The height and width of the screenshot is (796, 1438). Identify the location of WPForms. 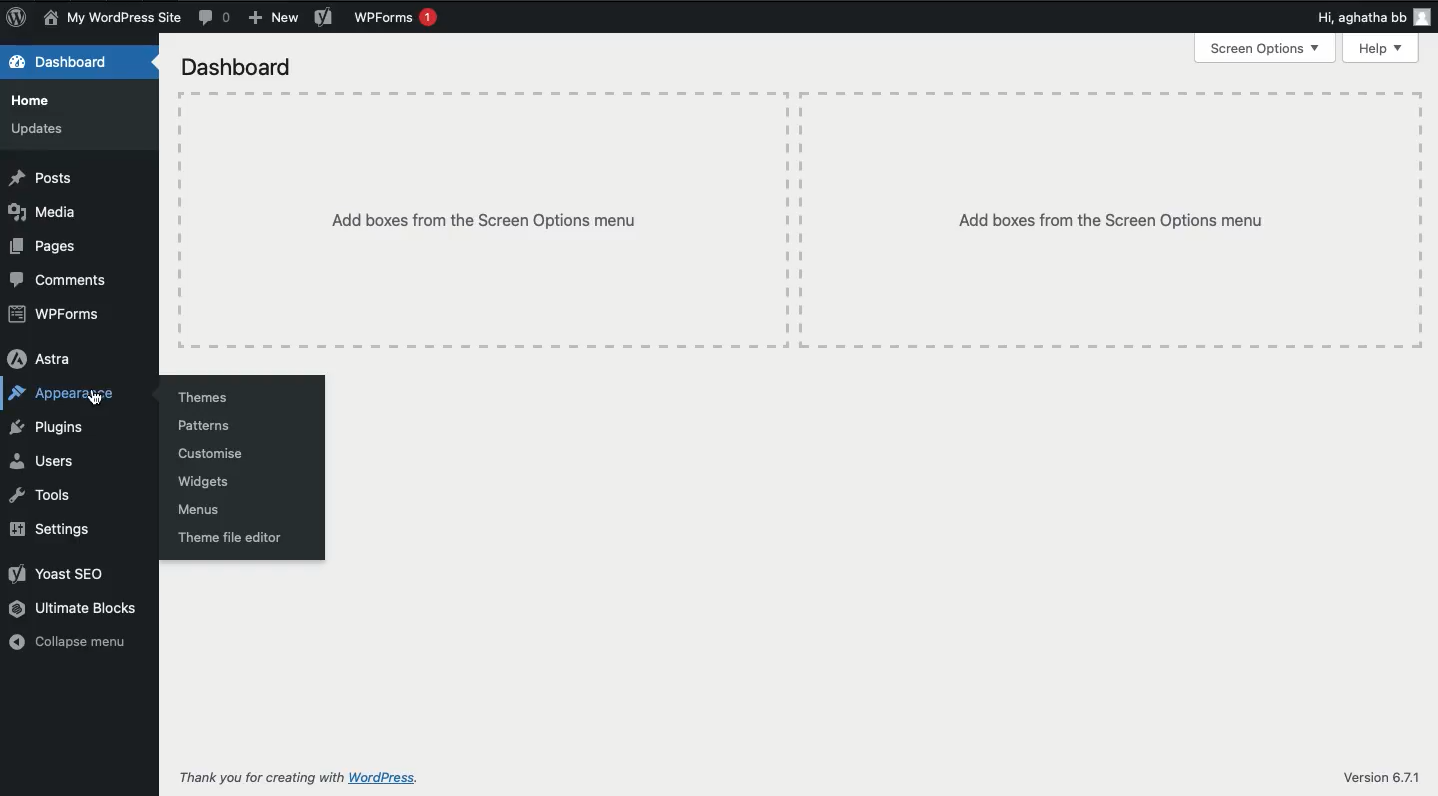
(57, 317).